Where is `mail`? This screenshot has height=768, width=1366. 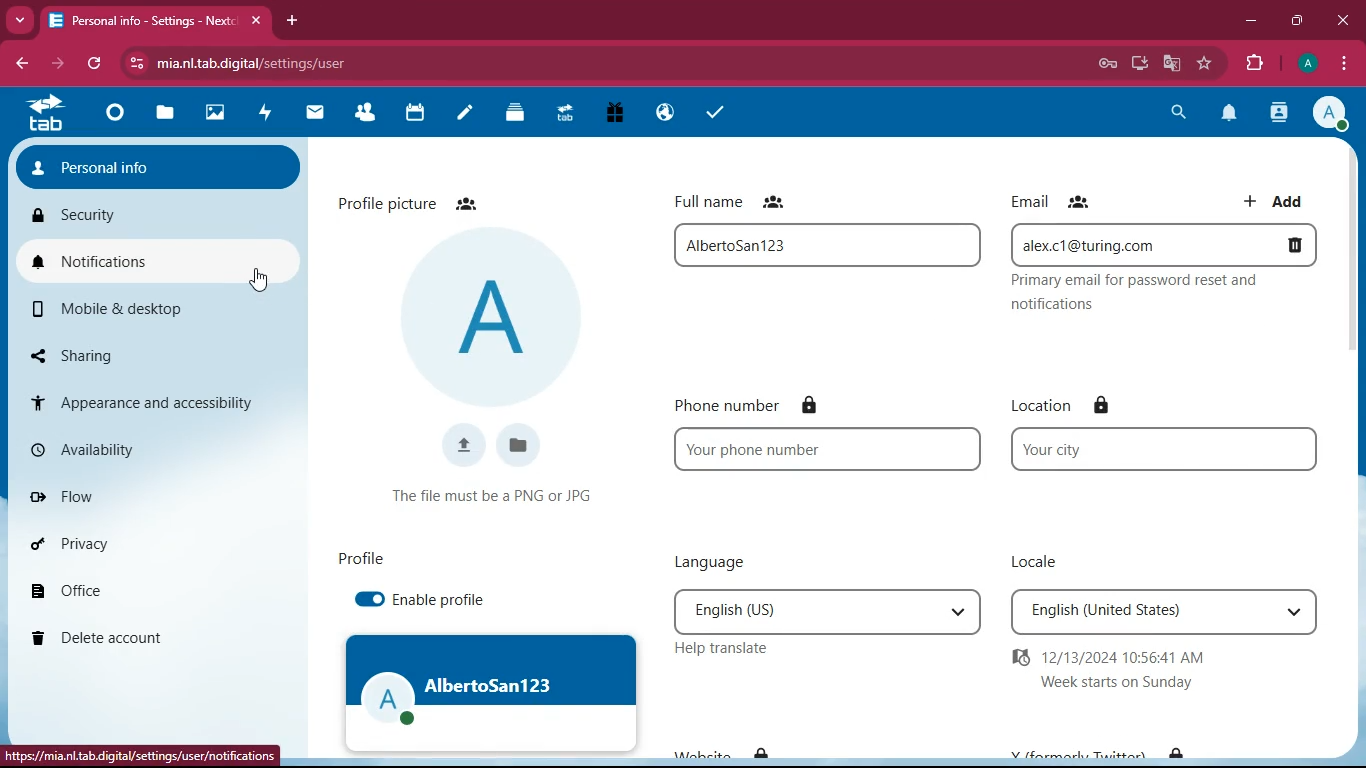
mail is located at coordinates (316, 114).